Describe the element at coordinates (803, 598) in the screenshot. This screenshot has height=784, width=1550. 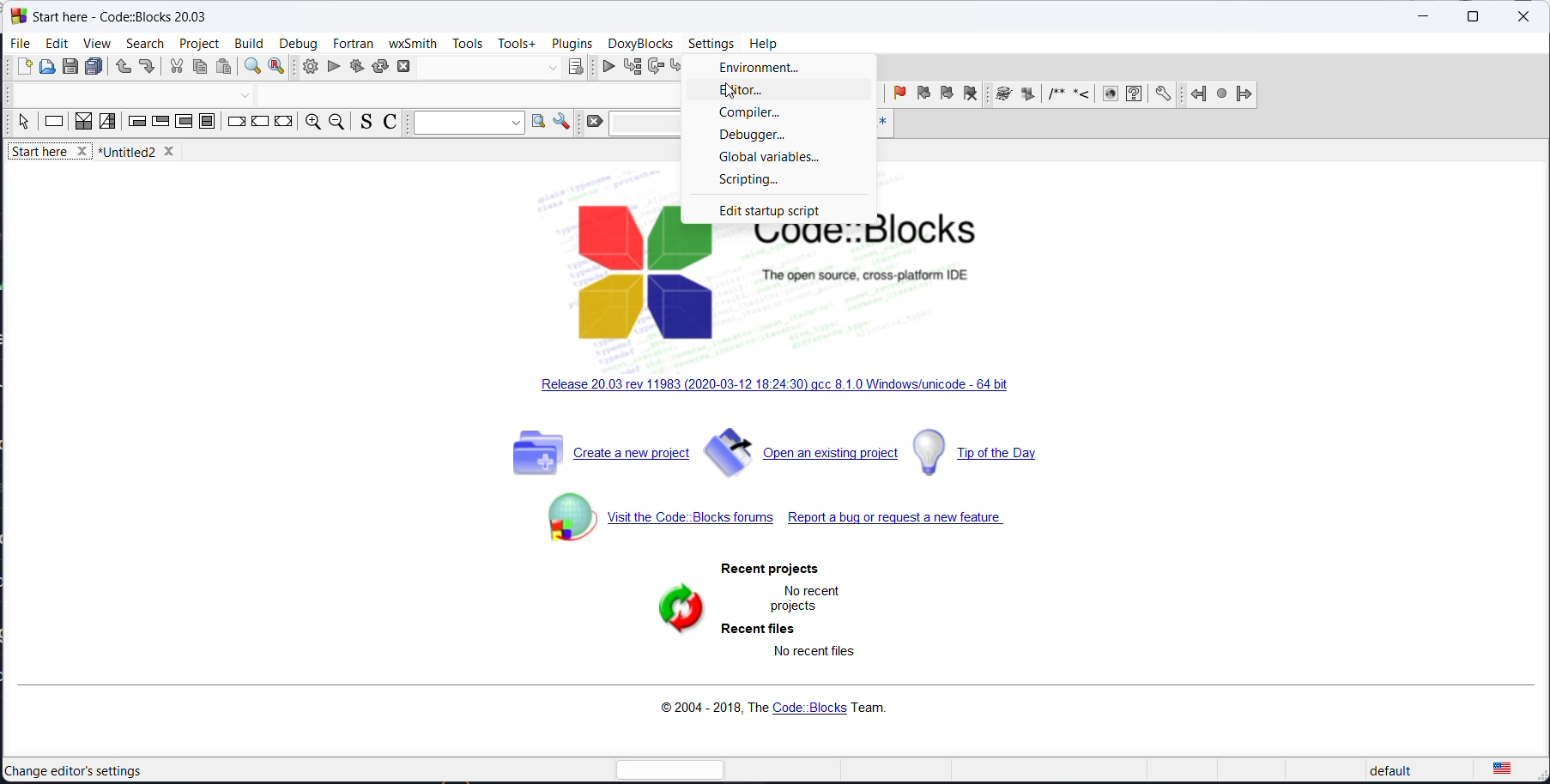
I see `No recent projects` at that location.